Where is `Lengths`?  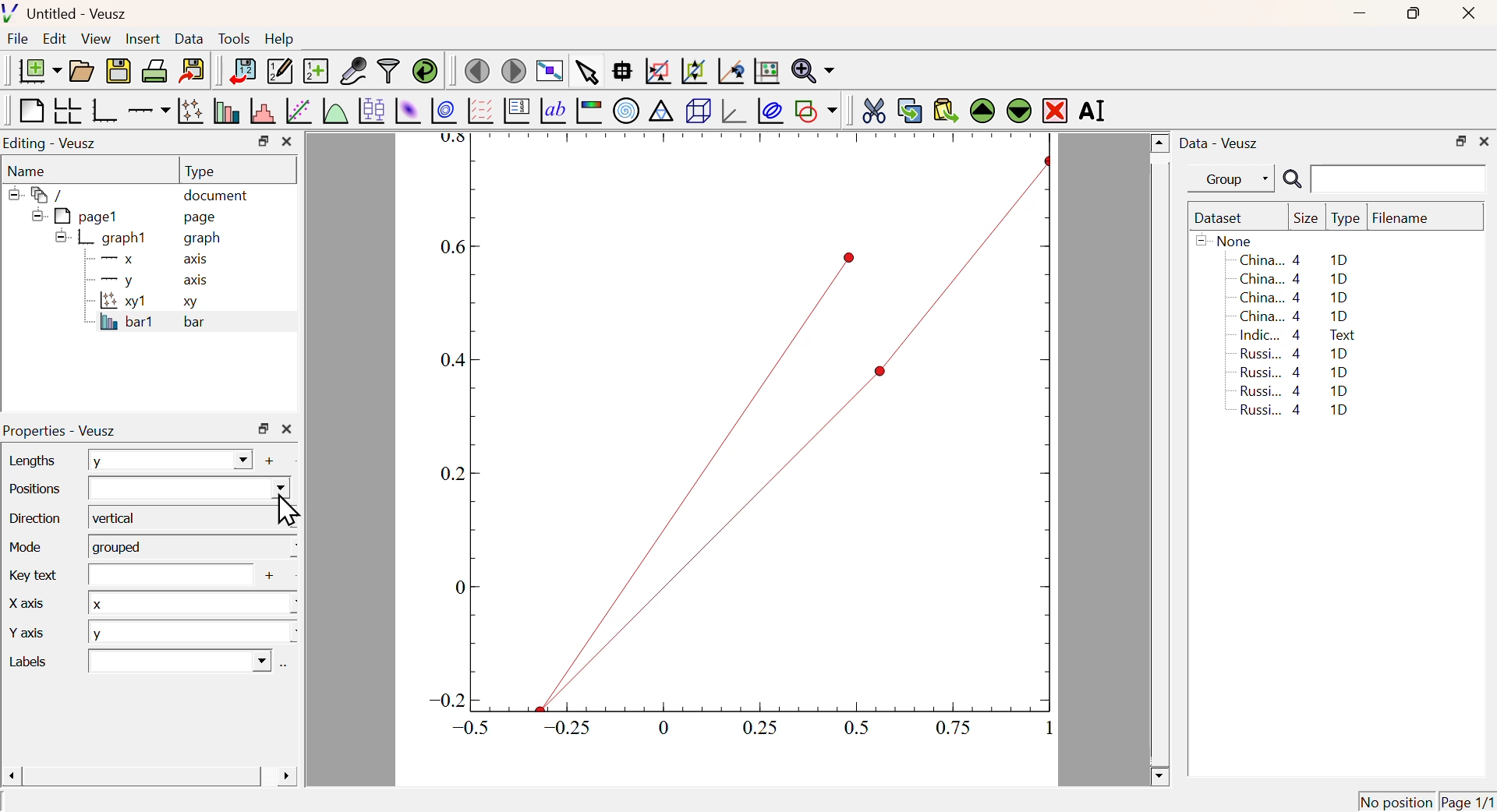 Lengths is located at coordinates (30, 460).